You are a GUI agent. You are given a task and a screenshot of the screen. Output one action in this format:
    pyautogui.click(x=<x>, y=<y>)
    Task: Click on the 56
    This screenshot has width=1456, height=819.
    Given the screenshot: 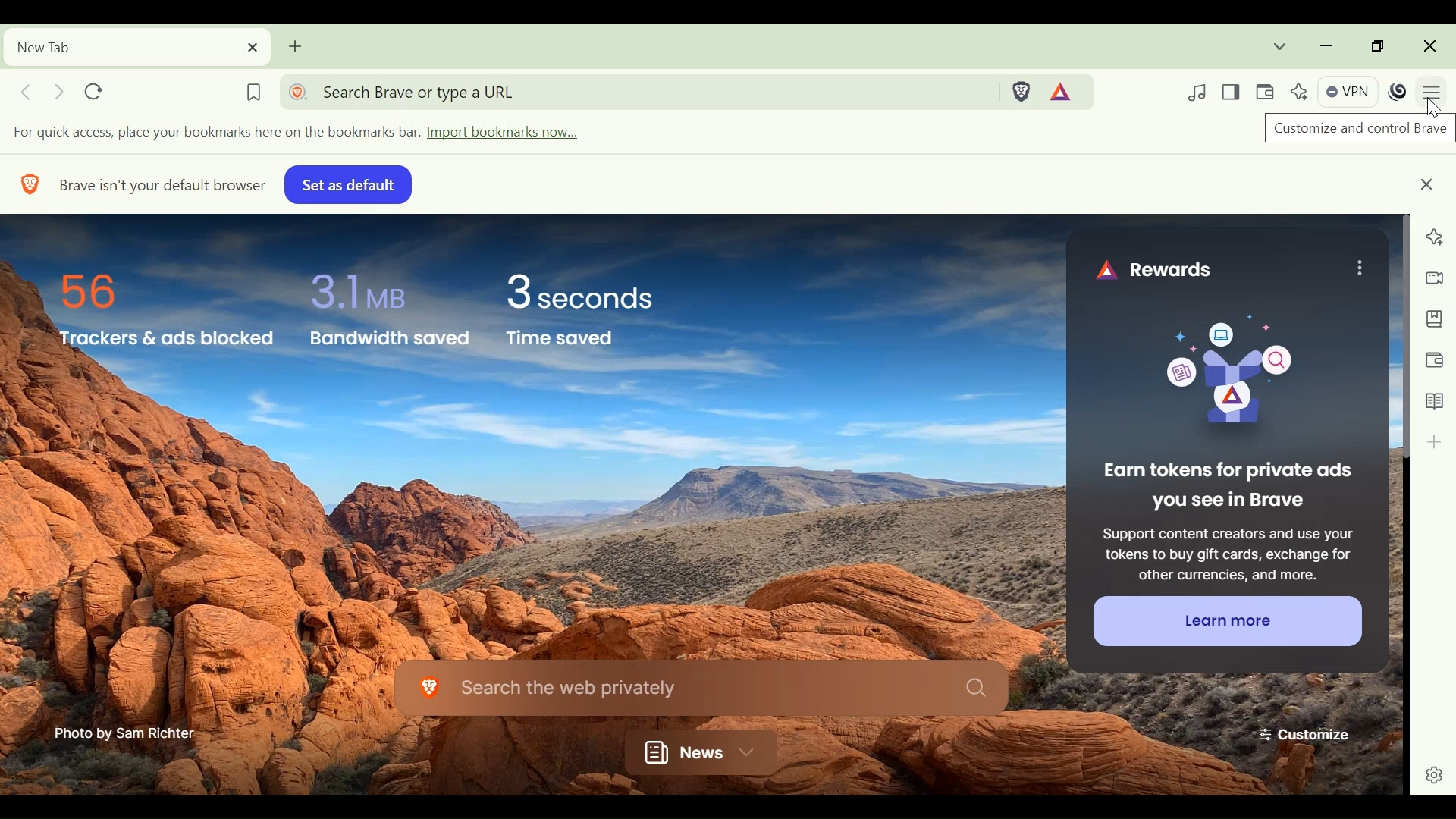 What is the action you would take?
    pyautogui.click(x=96, y=288)
    